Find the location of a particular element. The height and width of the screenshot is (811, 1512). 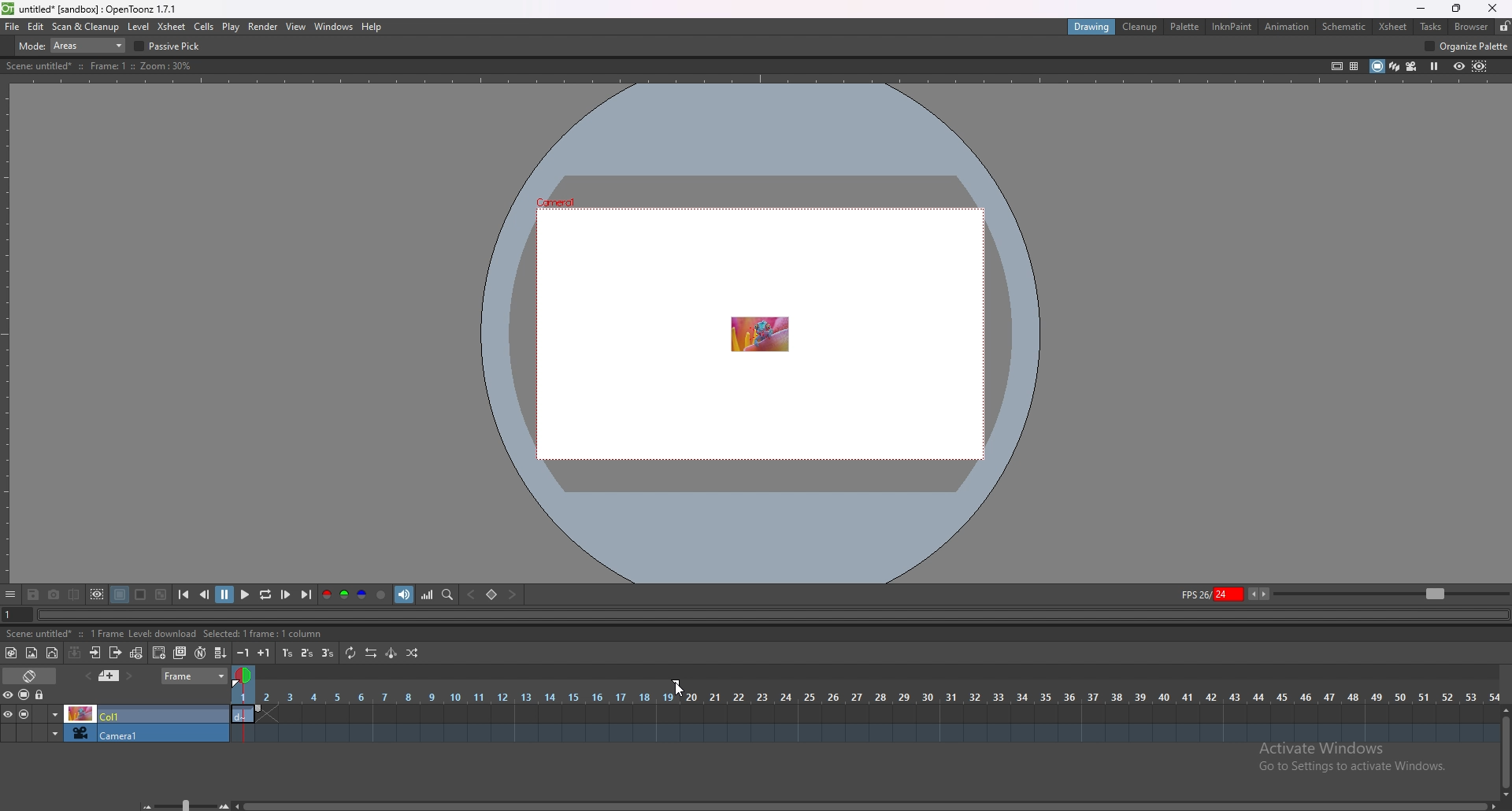

open subsheet is located at coordinates (95, 653).